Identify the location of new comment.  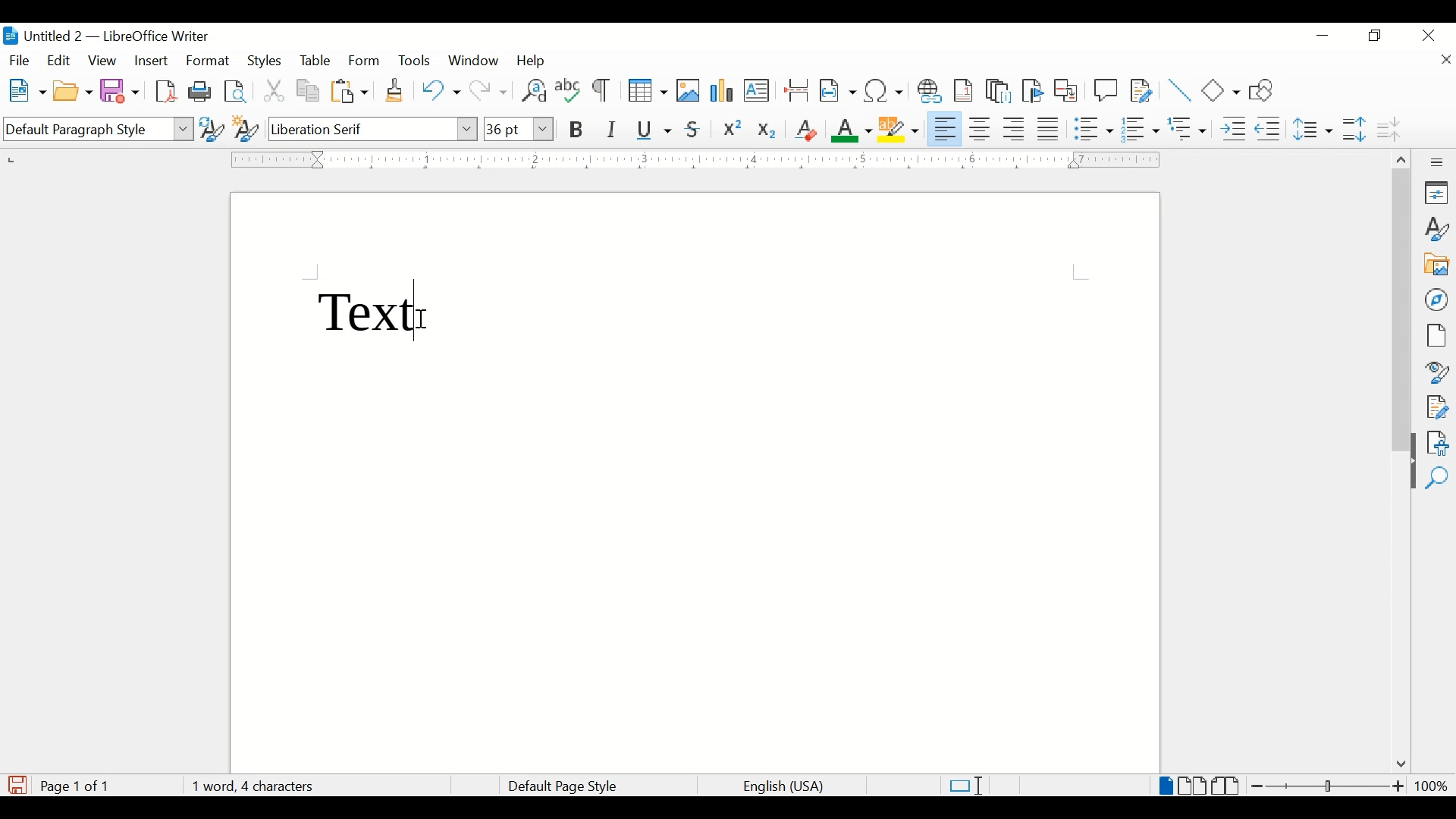
(1106, 90).